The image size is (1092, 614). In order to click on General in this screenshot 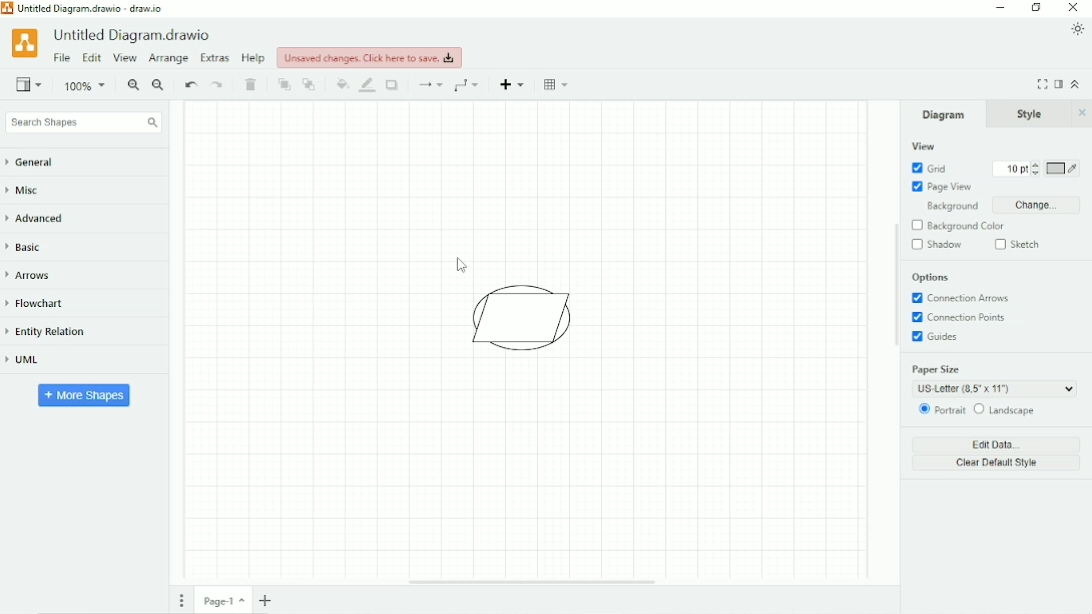, I will do `click(40, 163)`.